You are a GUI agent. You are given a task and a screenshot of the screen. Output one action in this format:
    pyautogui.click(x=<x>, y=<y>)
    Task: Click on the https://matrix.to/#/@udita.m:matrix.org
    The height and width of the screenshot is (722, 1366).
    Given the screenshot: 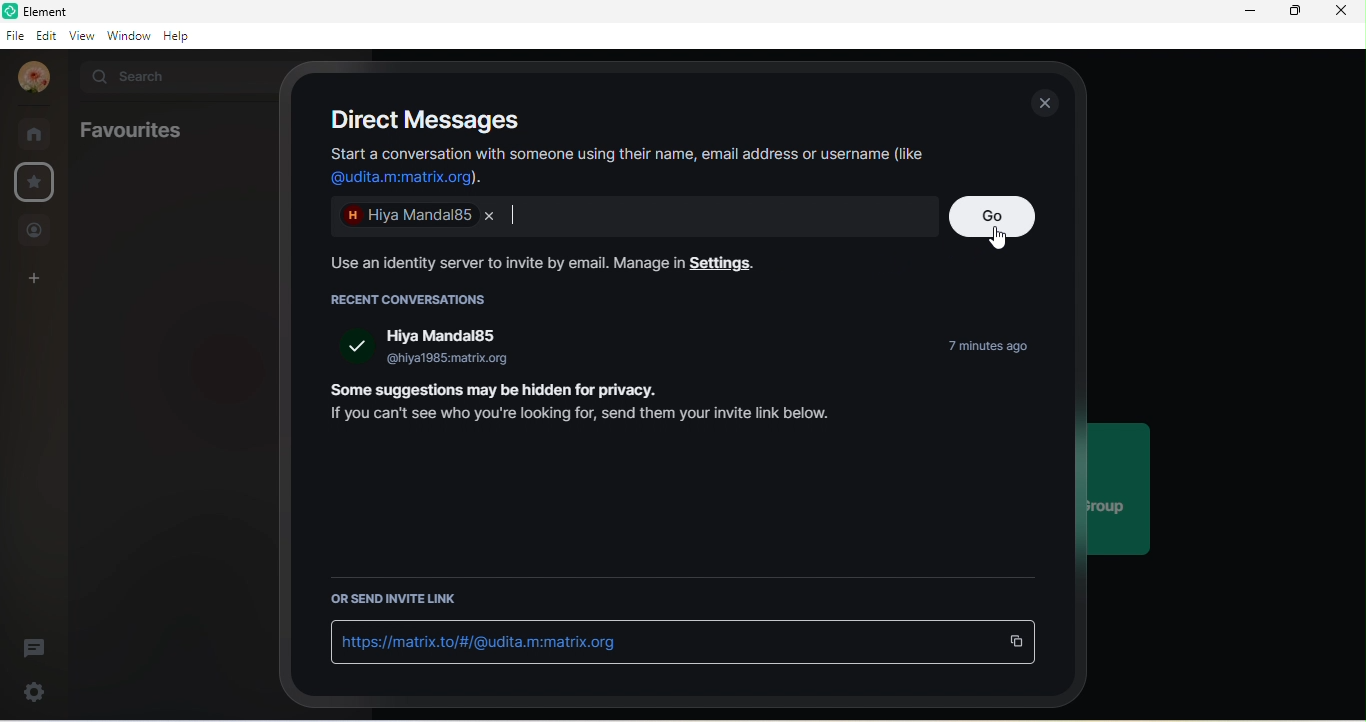 What is the action you would take?
    pyautogui.click(x=484, y=641)
    